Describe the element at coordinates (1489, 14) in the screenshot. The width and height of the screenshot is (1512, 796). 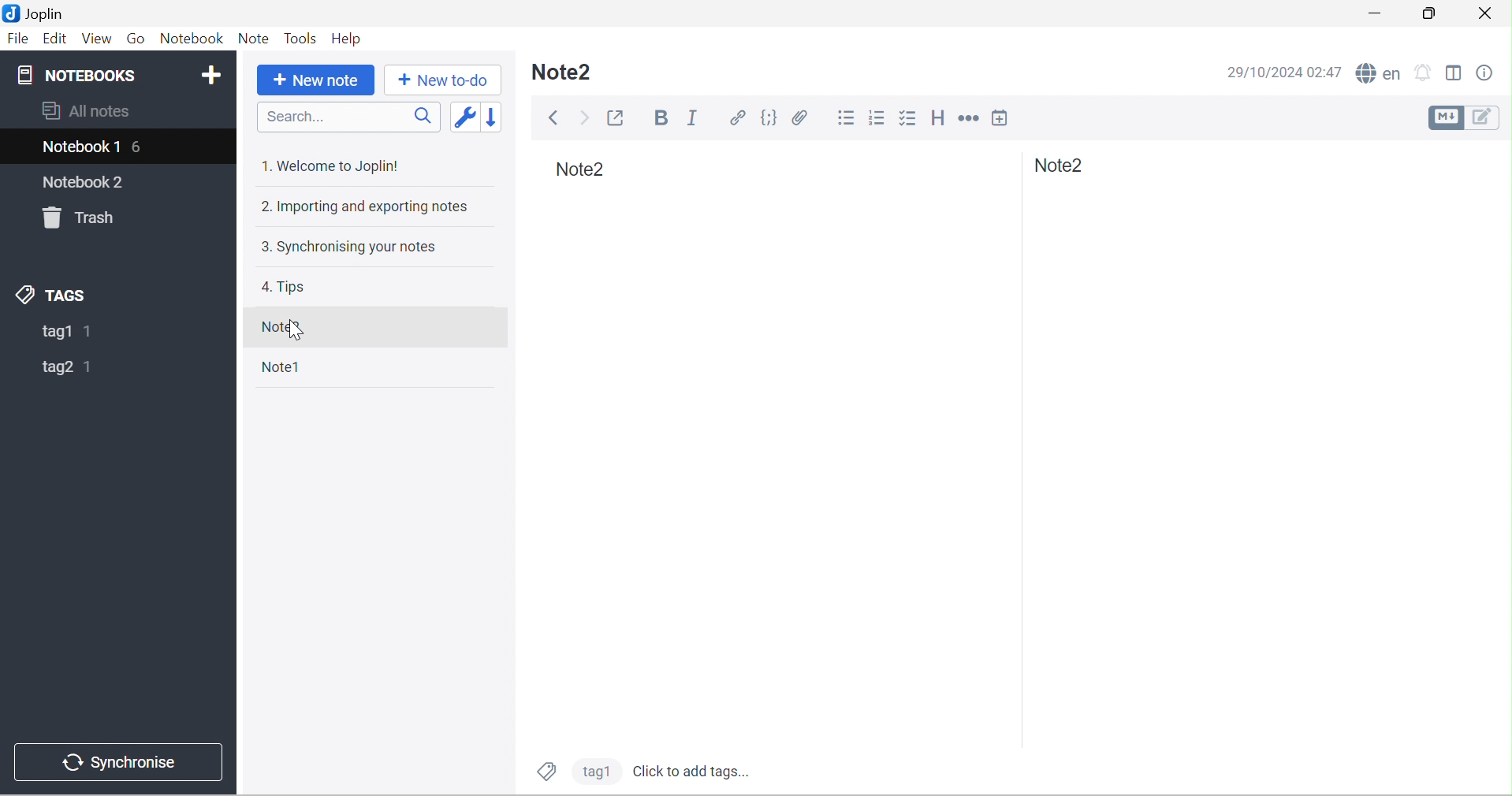
I see `Close` at that location.